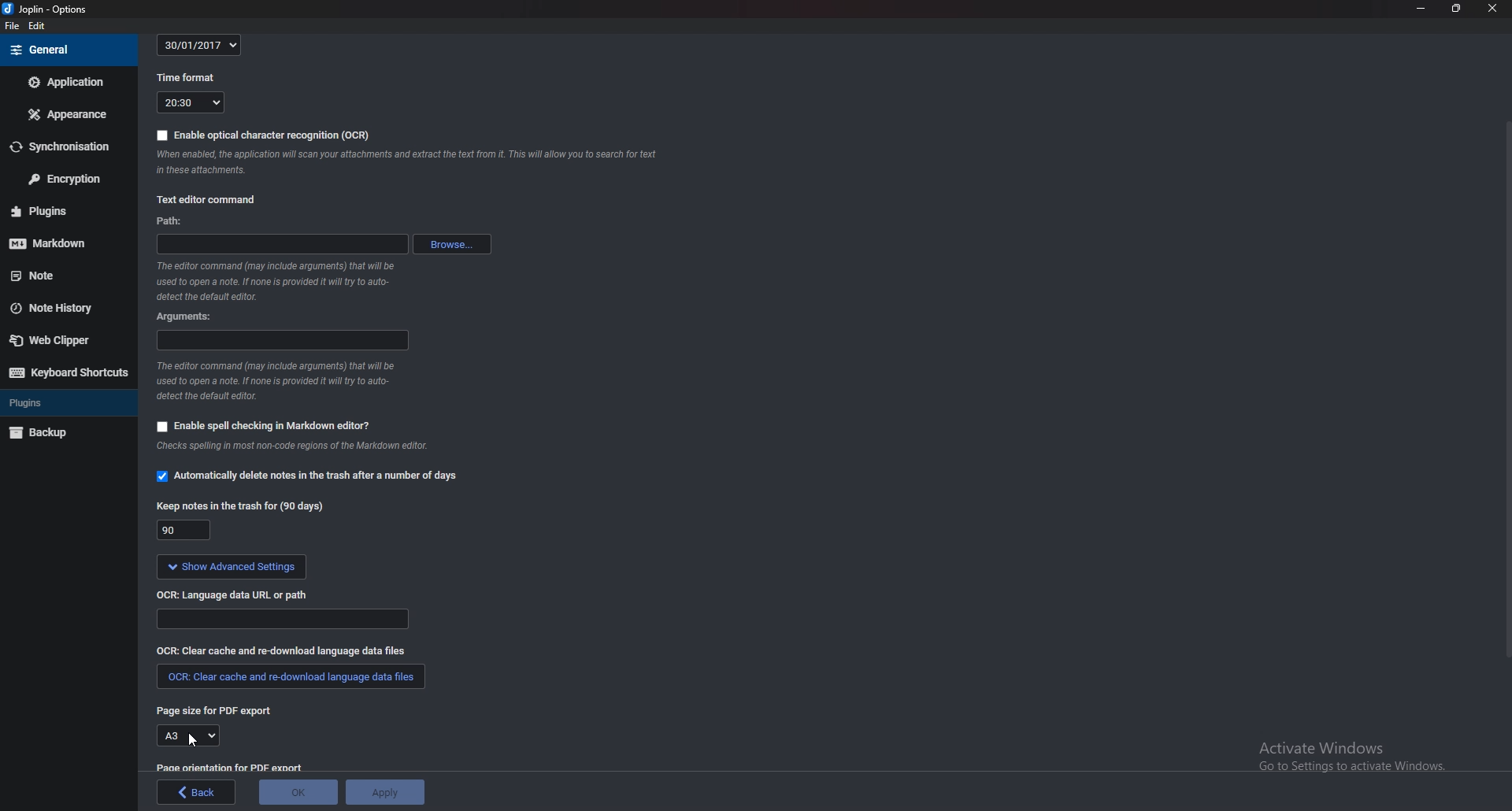  I want to click on info, so click(328, 450).